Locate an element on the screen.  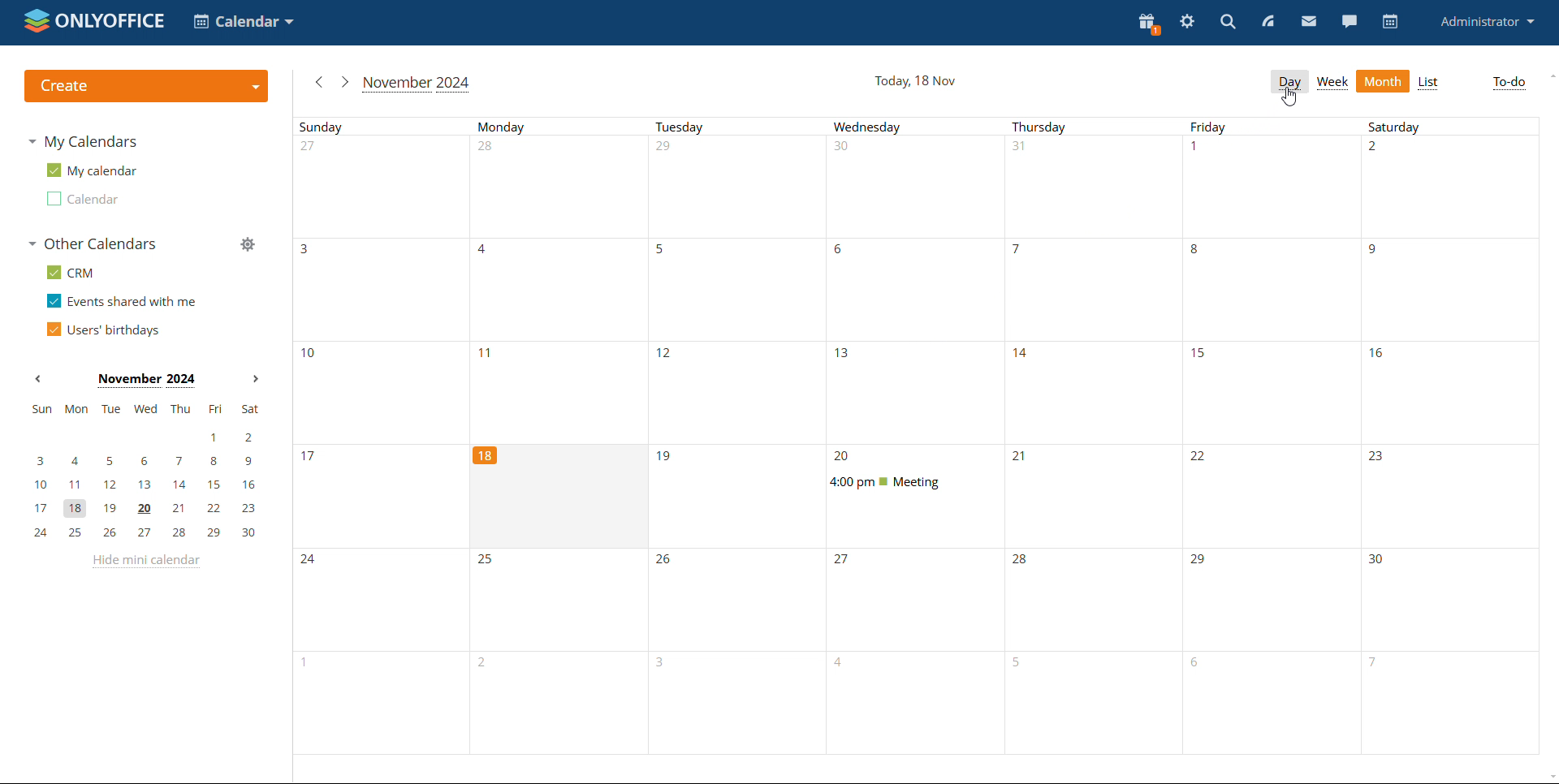
month on display is located at coordinates (145, 380).